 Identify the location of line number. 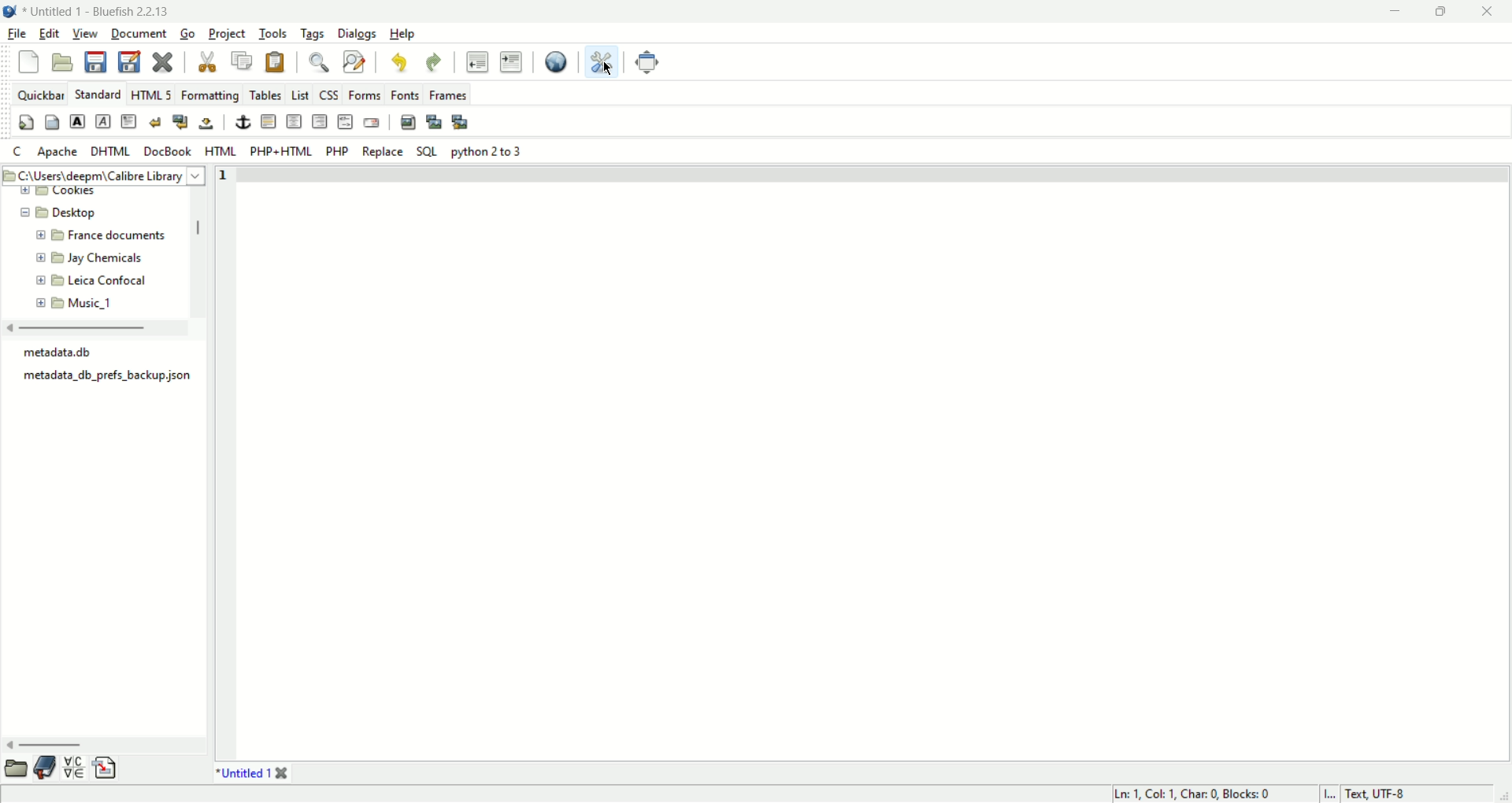
(223, 176).